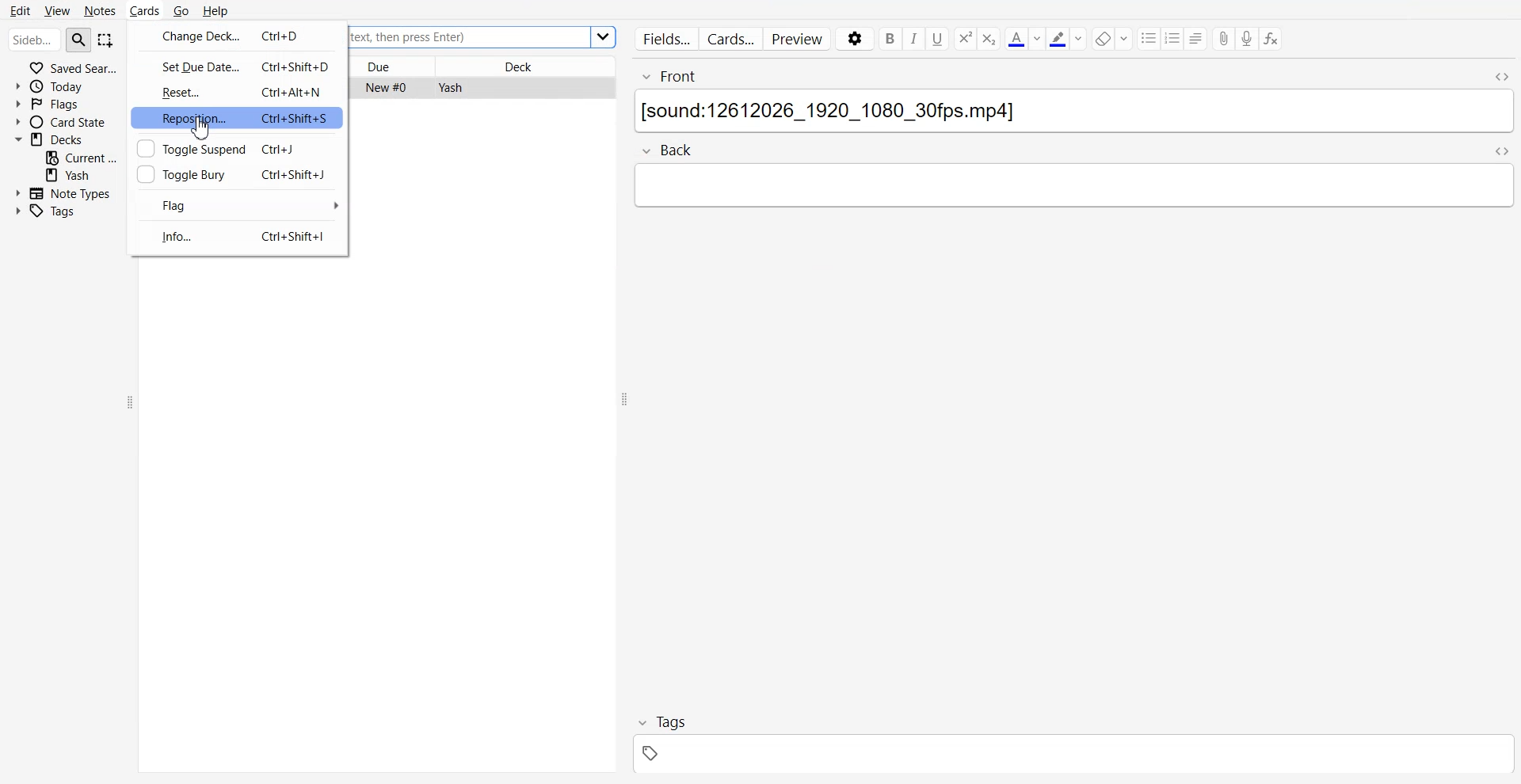  I want to click on ctrl+D, so click(283, 32).